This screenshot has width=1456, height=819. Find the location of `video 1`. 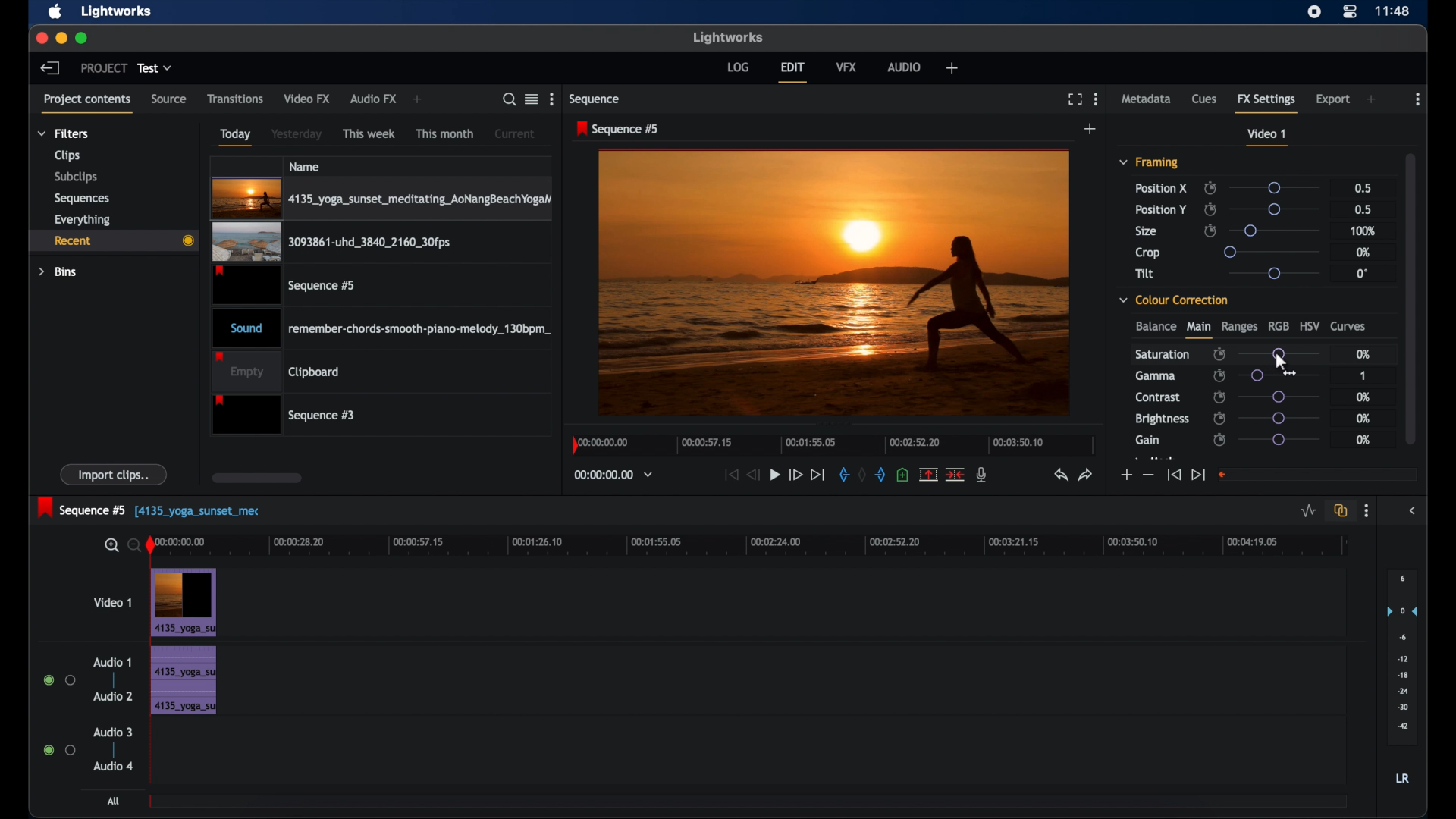

video 1 is located at coordinates (1268, 137).